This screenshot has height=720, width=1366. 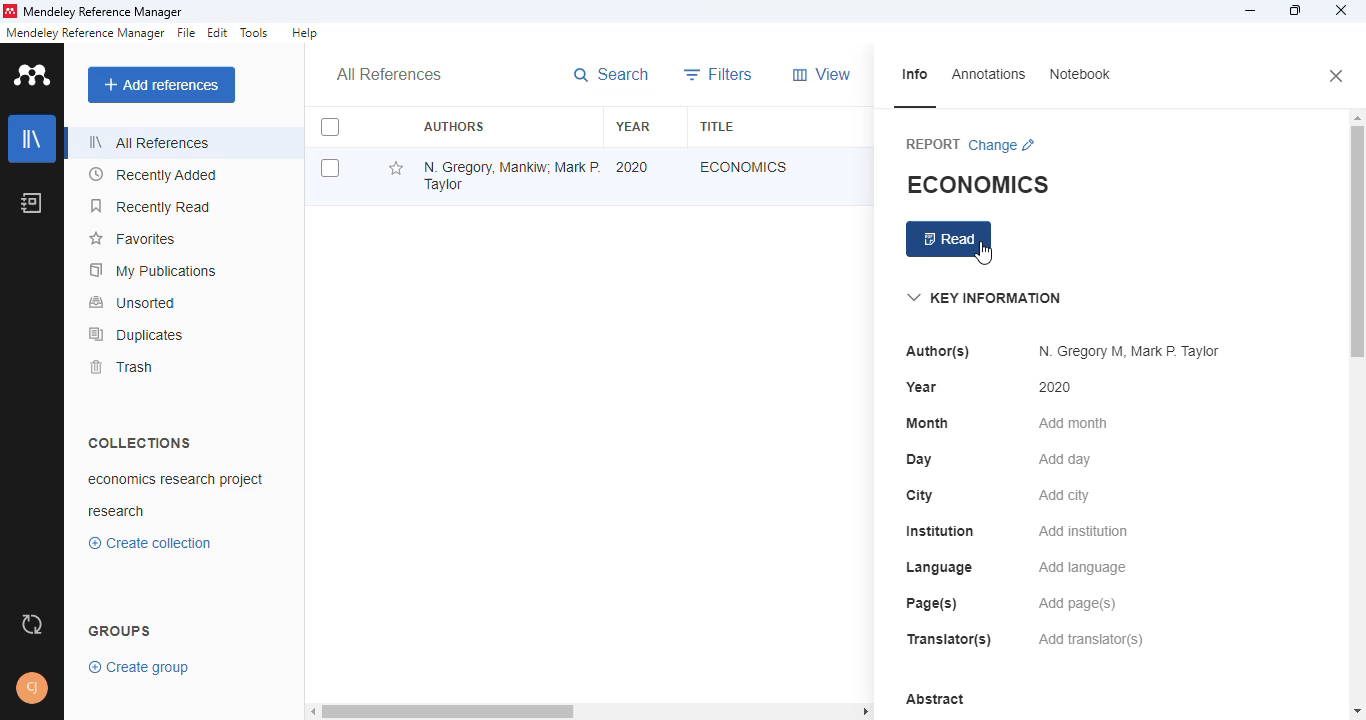 I want to click on key information, so click(x=984, y=297).